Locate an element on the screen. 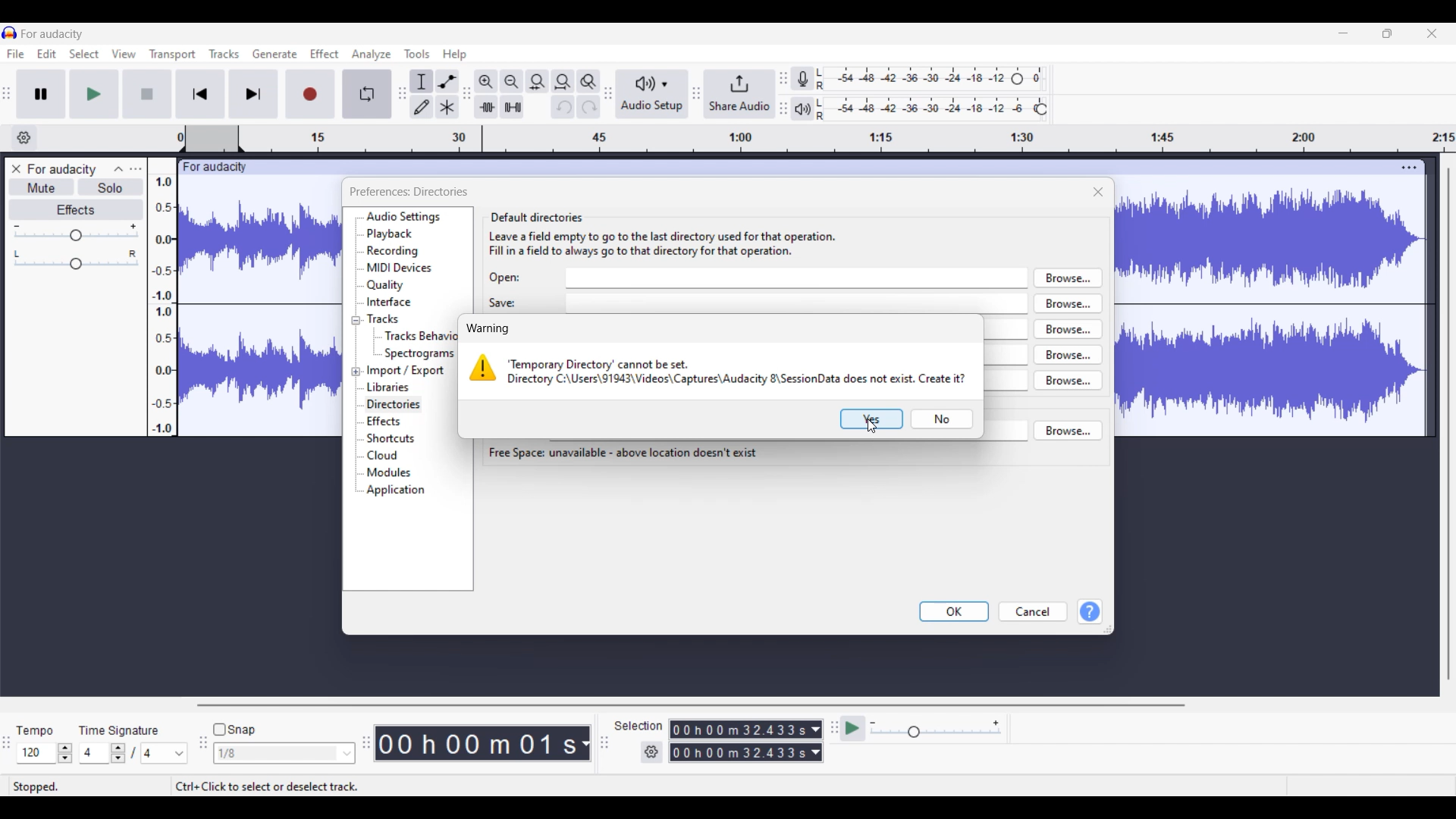 Image resolution: width=1456 pixels, height=819 pixels. Recording is located at coordinates (392, 251).